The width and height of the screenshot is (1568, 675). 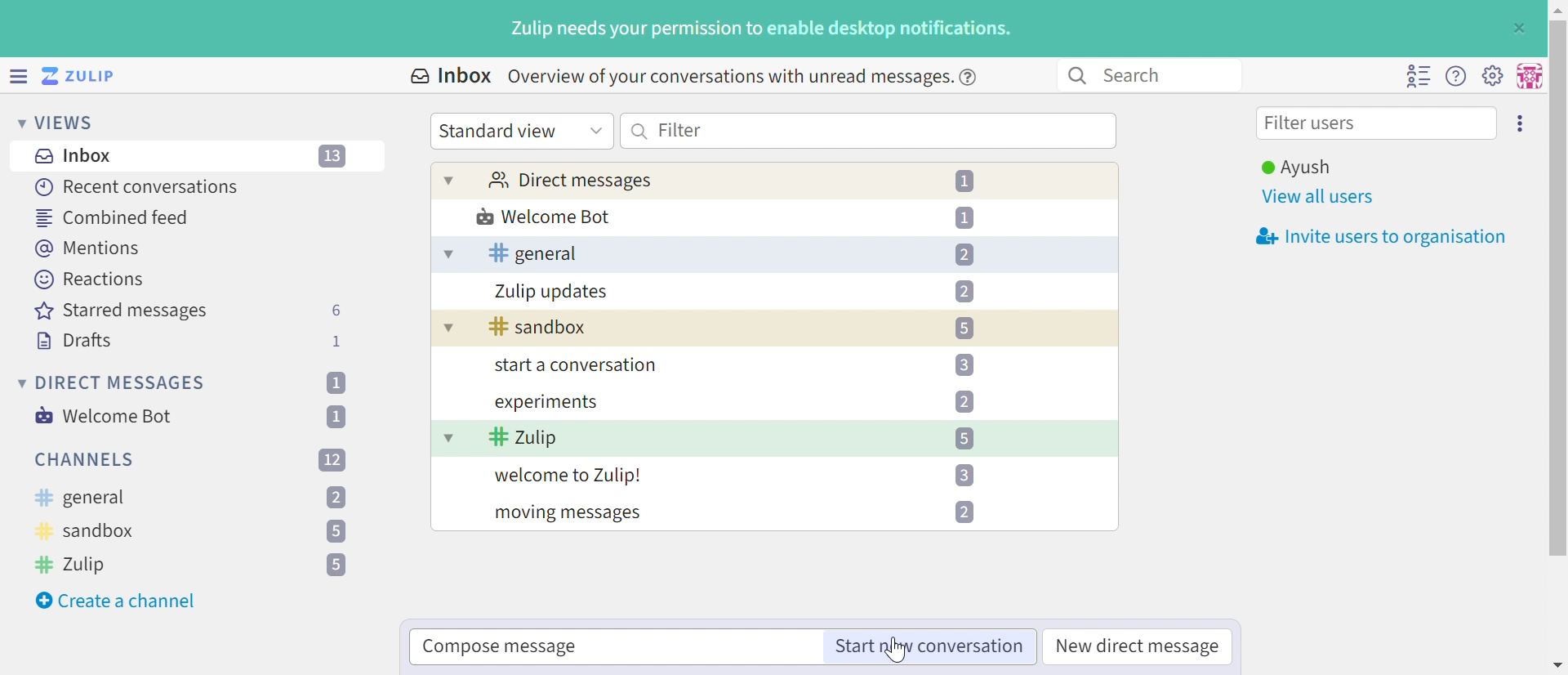 I want to click on start a conversation, so click(x=572, y=367).